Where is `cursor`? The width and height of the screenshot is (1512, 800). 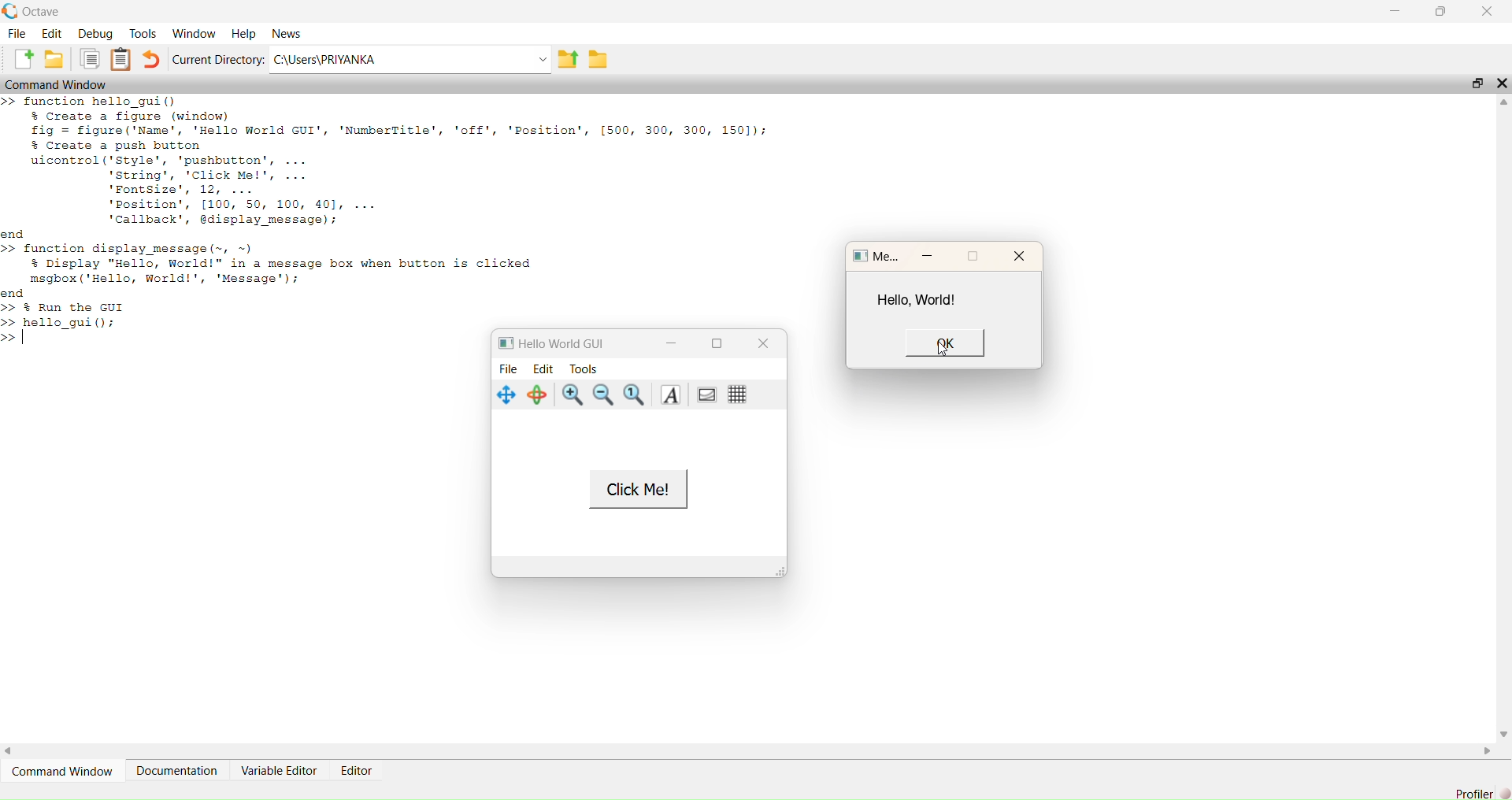
cursor is located at coordinates (939, 346).